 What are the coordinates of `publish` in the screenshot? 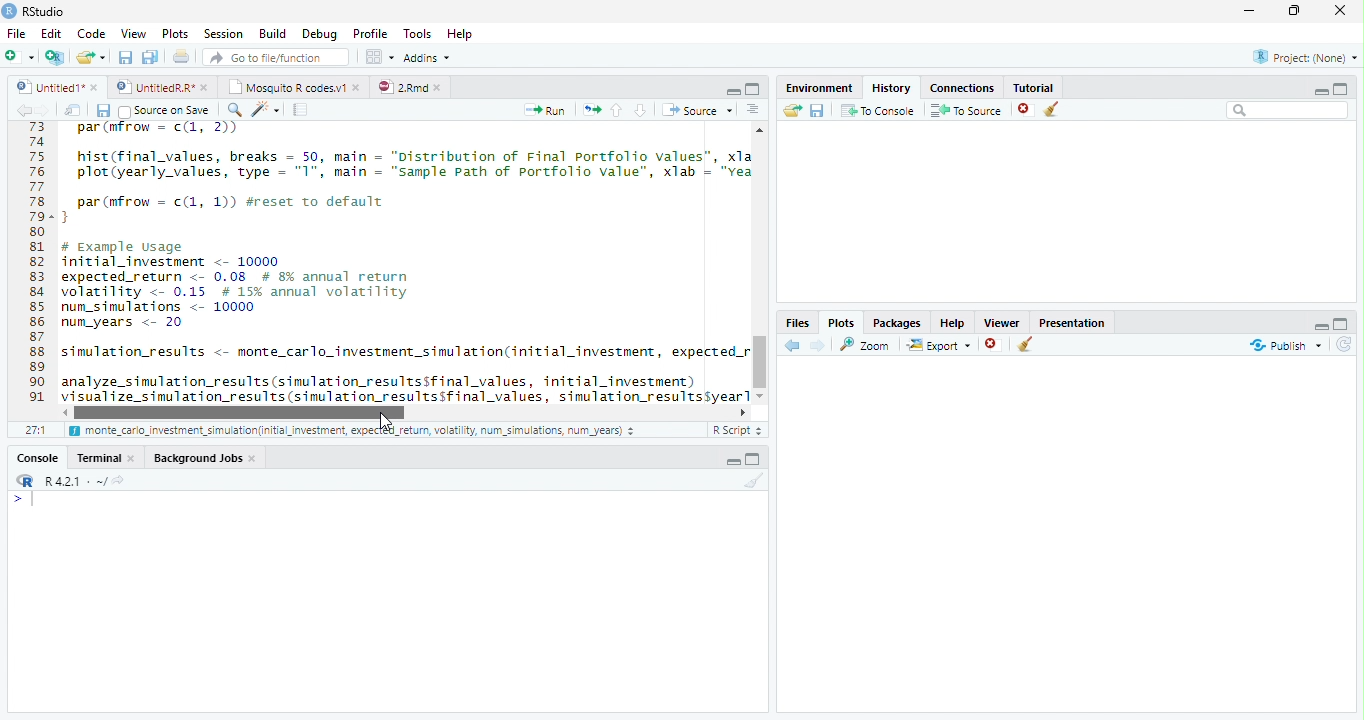 It's located at (1285, 345).